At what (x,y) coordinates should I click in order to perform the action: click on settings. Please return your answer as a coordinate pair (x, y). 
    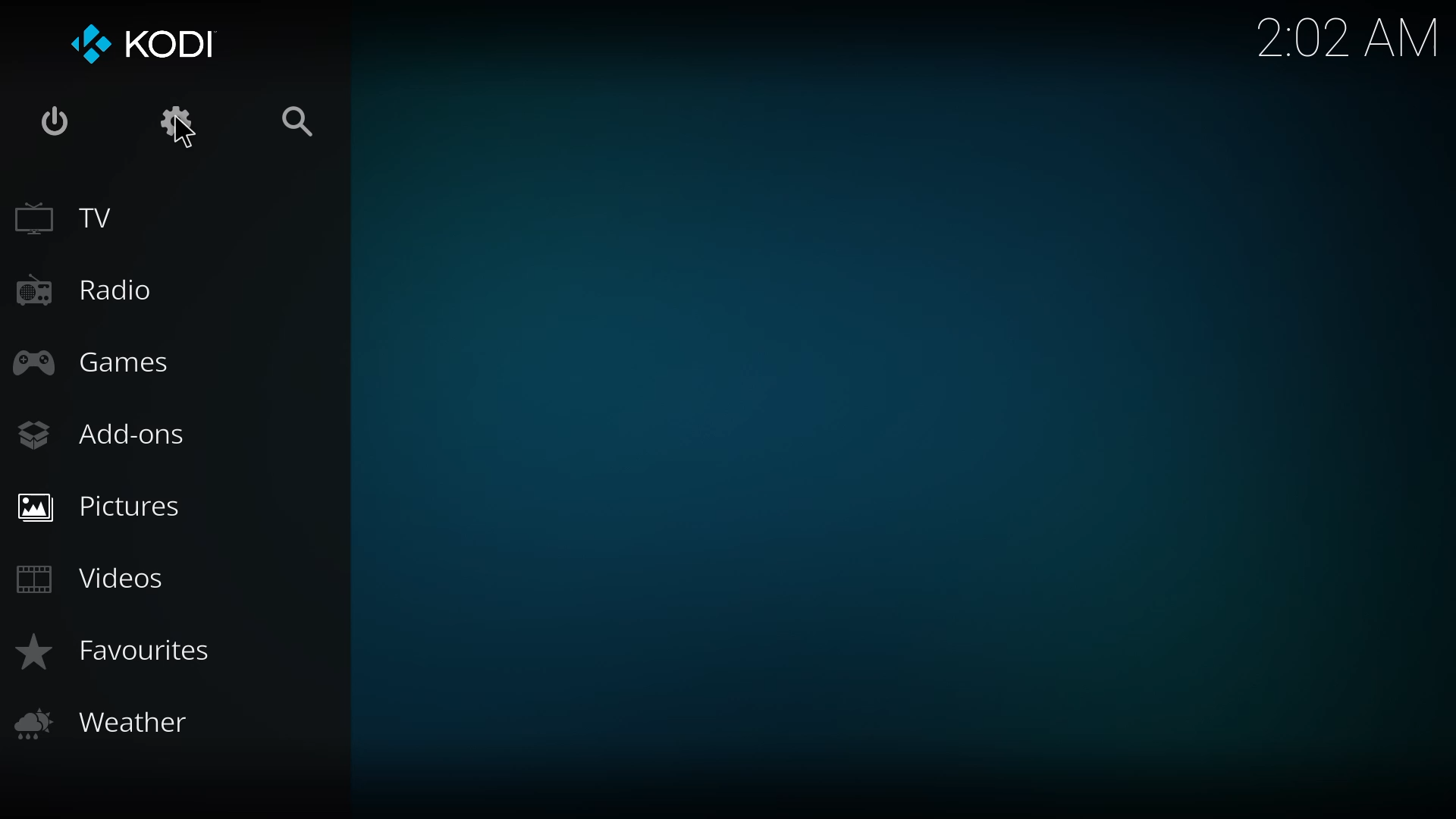
    Looking at the image, I should click on (177, 124).